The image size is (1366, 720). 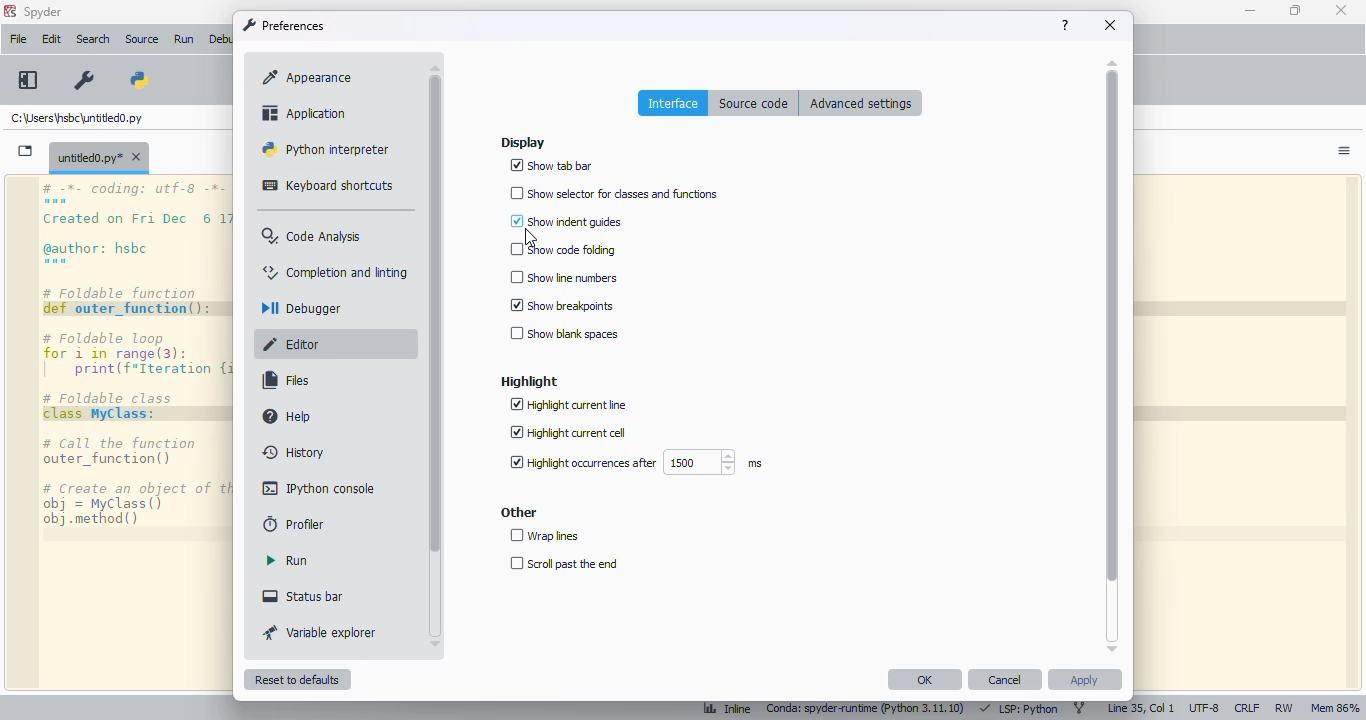 What do you see at coordinates (563, 277) in the screenshot?
I see `show line numbers` at bounding box center [563, 277].